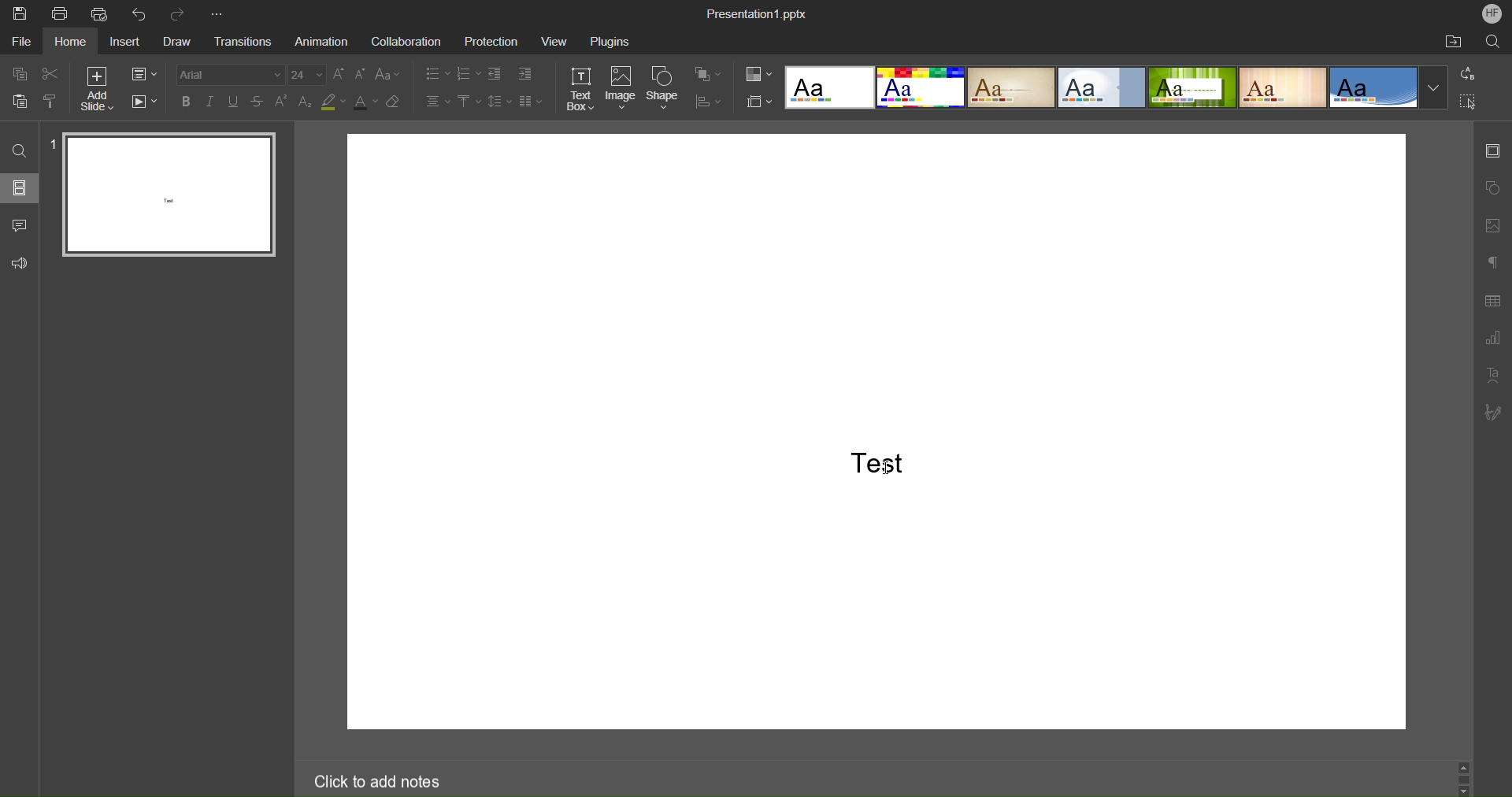 Image resolution: width=1512 pixels, height=797 pixels. I want to click on Plugins, so click(613, 39).